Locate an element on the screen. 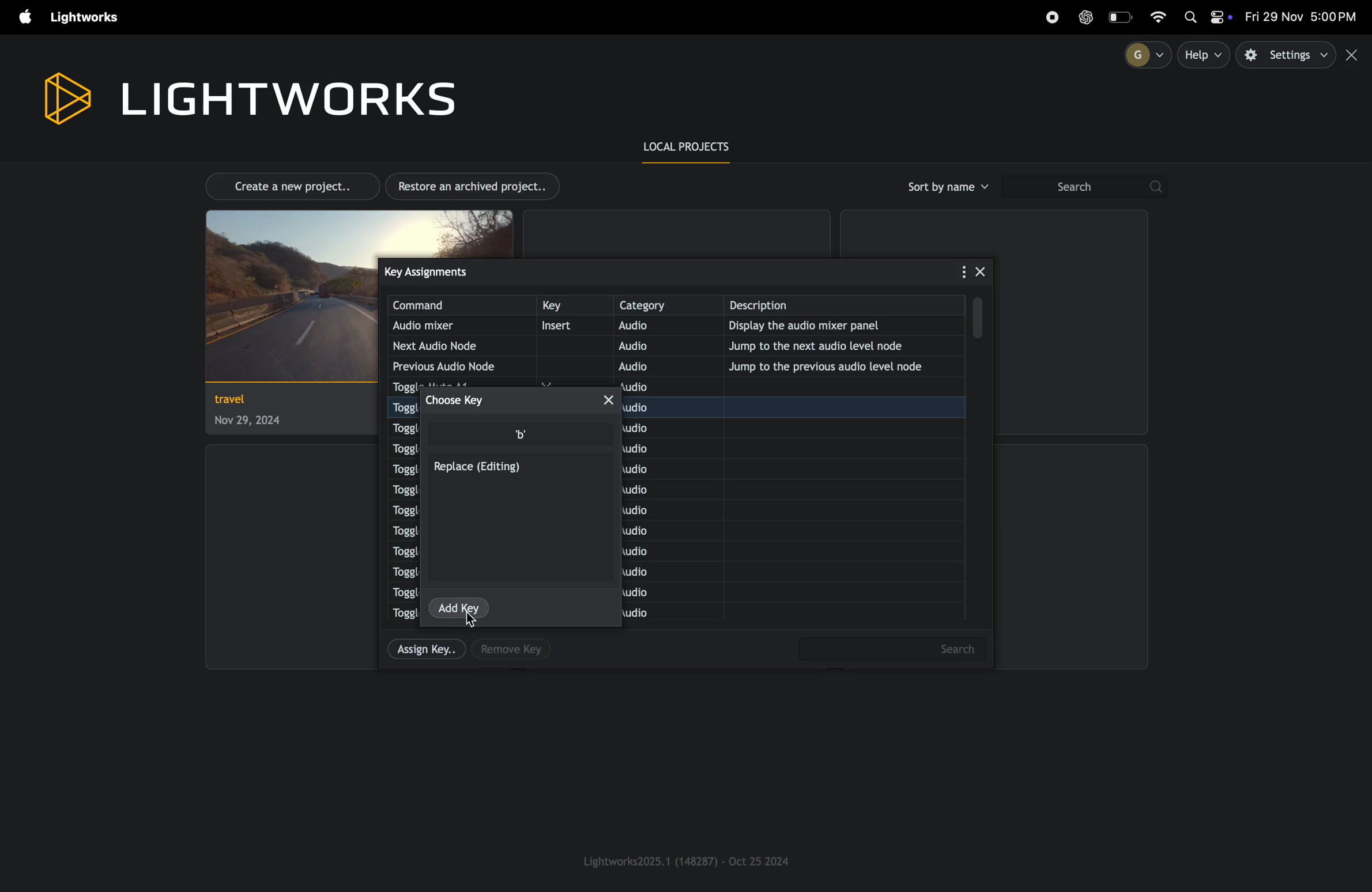 Image resolution: width=1372 pixels, height=892 pixels. Assign key is located at coordinates (424, 651).